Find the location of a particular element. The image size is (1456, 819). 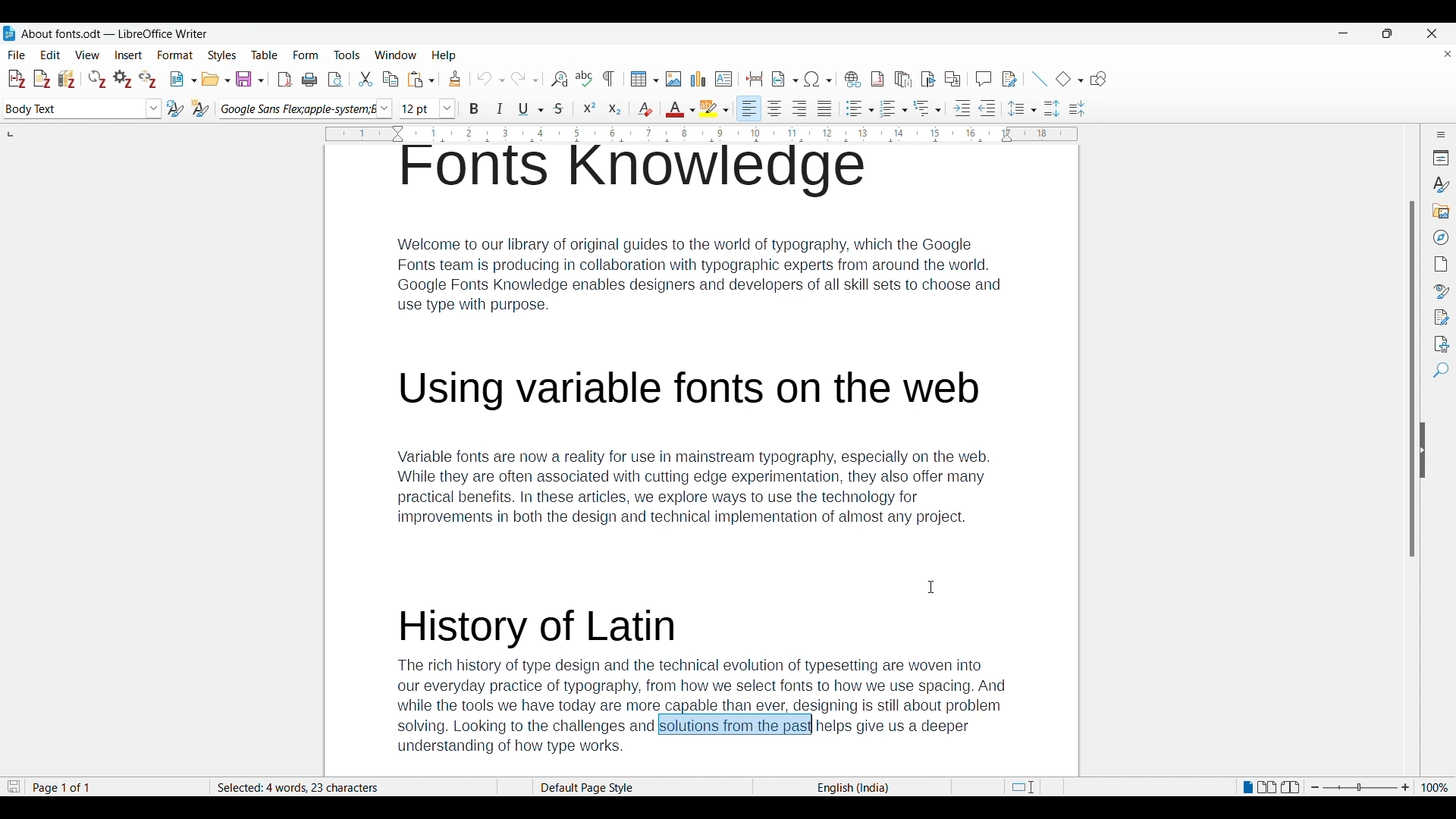

Zoom in/out slider is located at coordinates (1360, 788).